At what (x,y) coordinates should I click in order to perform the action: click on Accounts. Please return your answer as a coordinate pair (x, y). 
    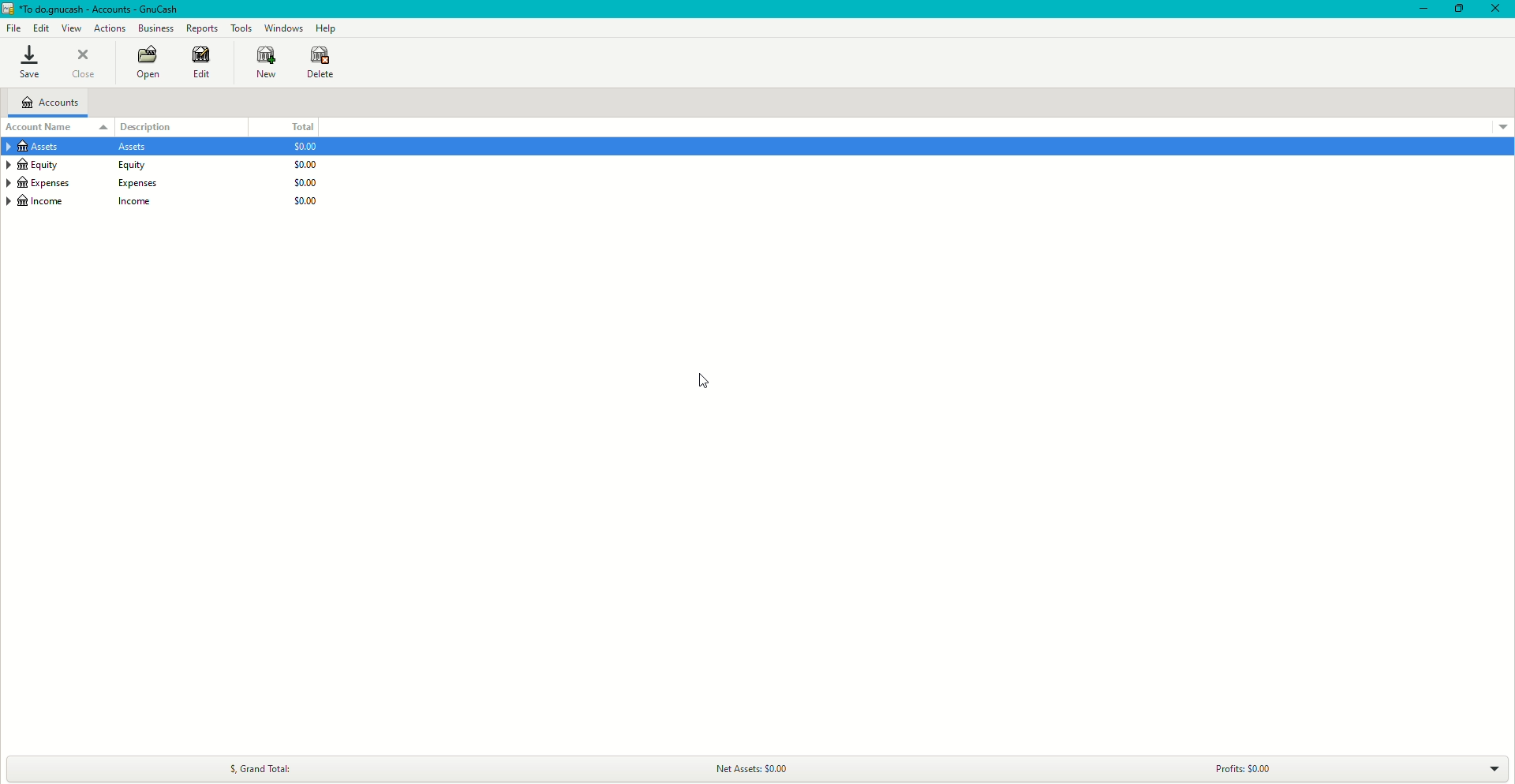
    Looking at the image, I should click on (54, 104).